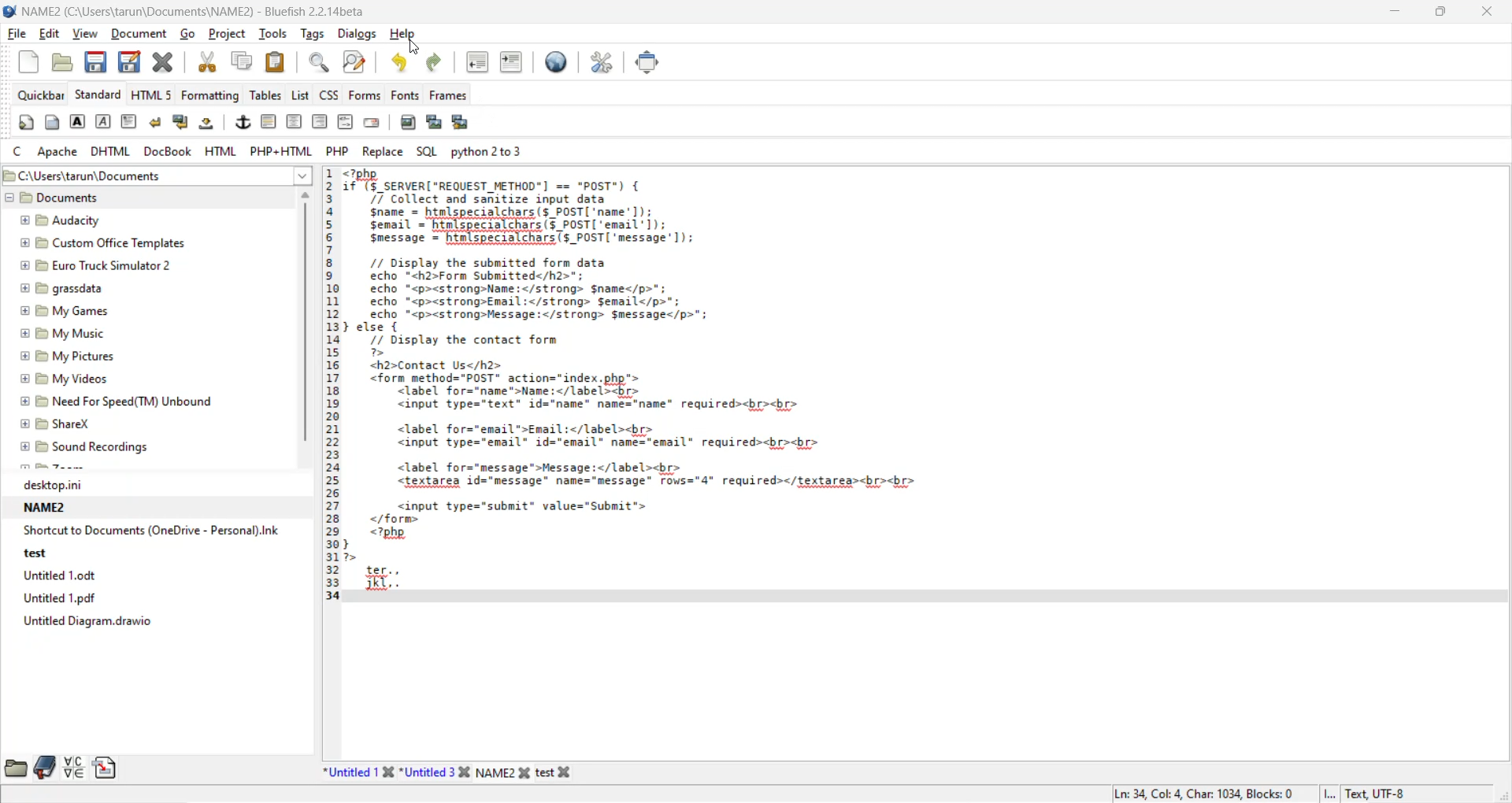 Image resolution: width=1512 pixels, height=803 pixels. What do you see at coordinates (141, 34) in the screenshot?
I see `document` at bounding box center [141, 34].